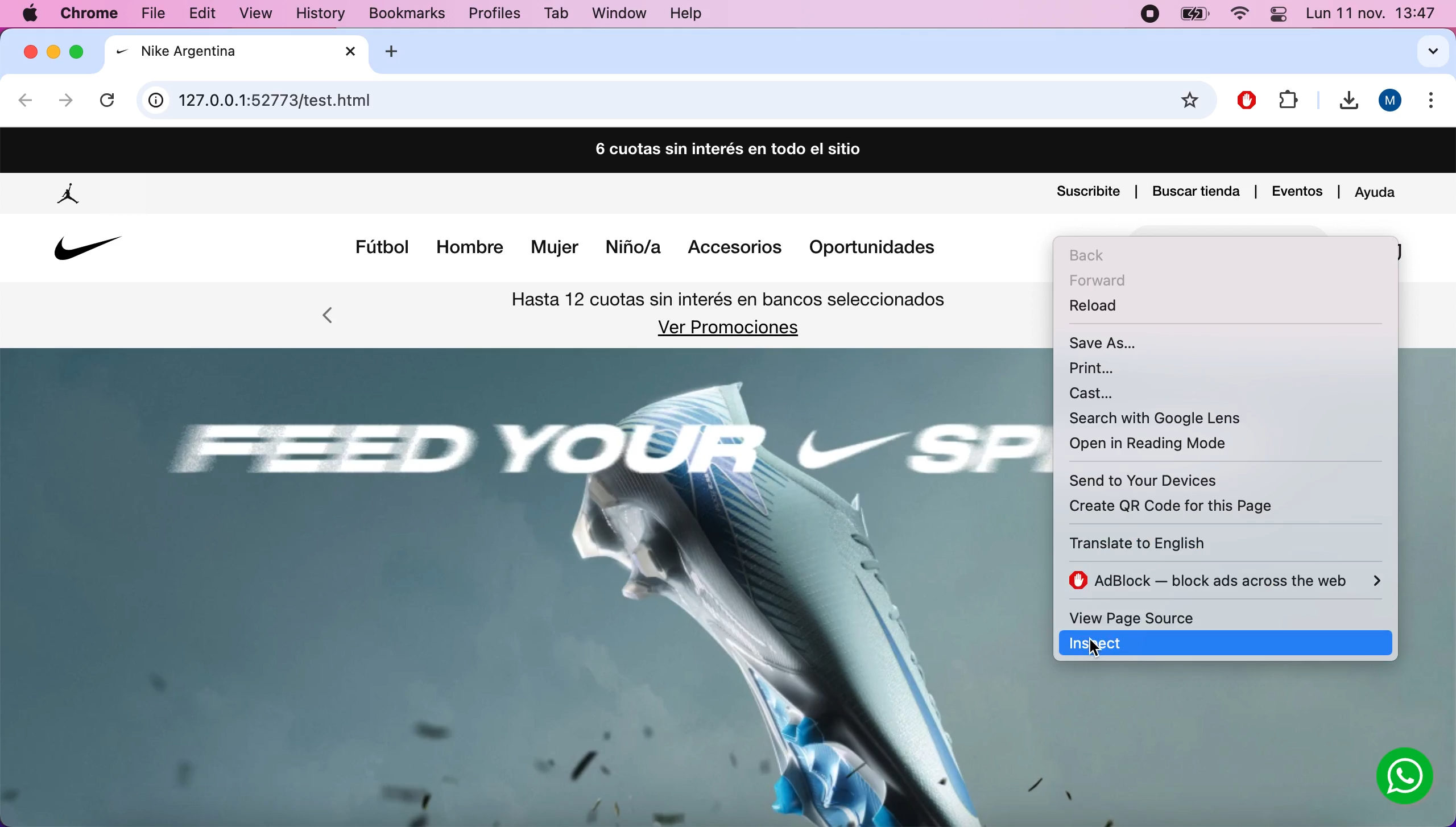 The width and height of the screenshot is (1456, 827). Describe the element at coordinates (726, 328) in the screenshot. I see `View Promotions` at that location.